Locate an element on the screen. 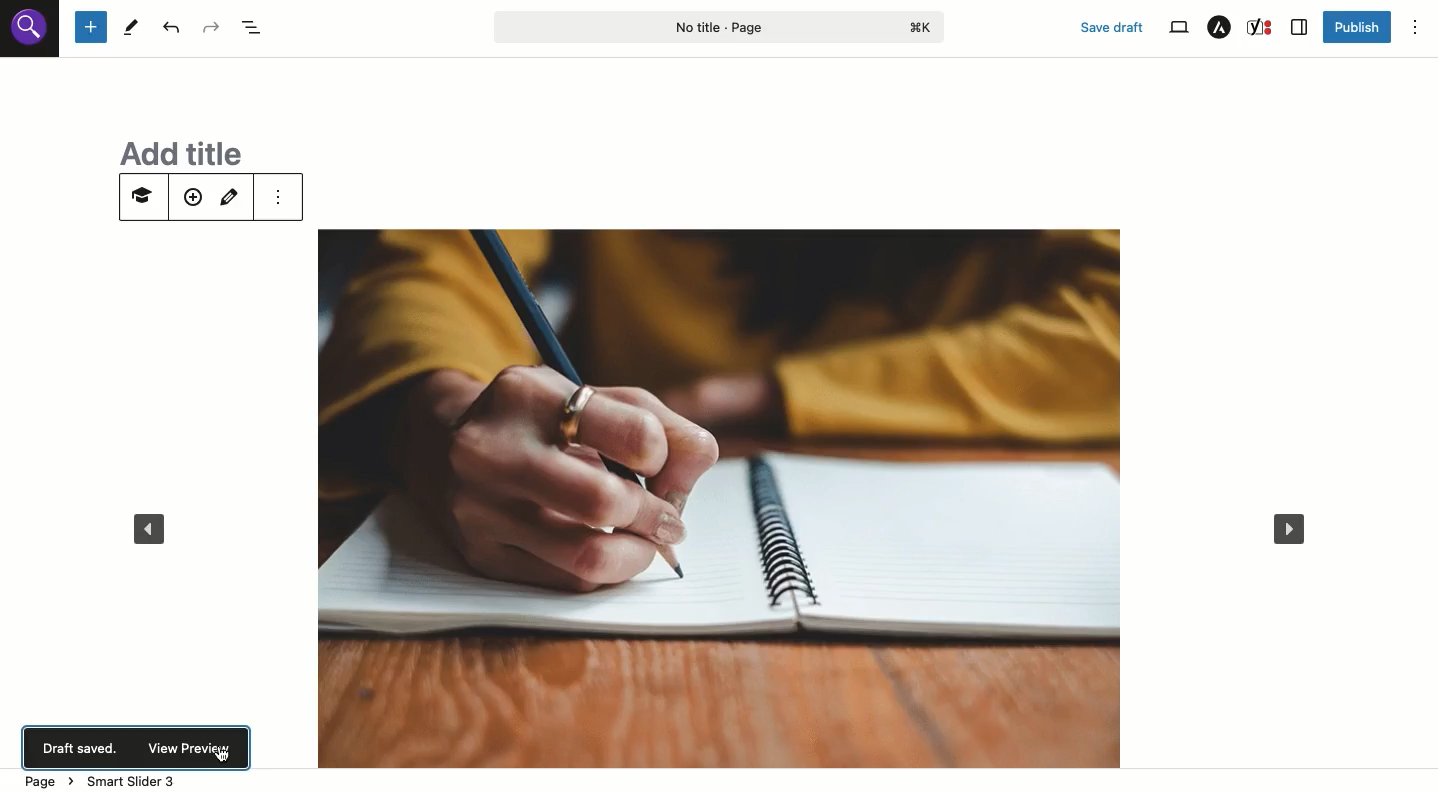 The image size is (1438, 792). cursor is located at coordinates (226, 755).